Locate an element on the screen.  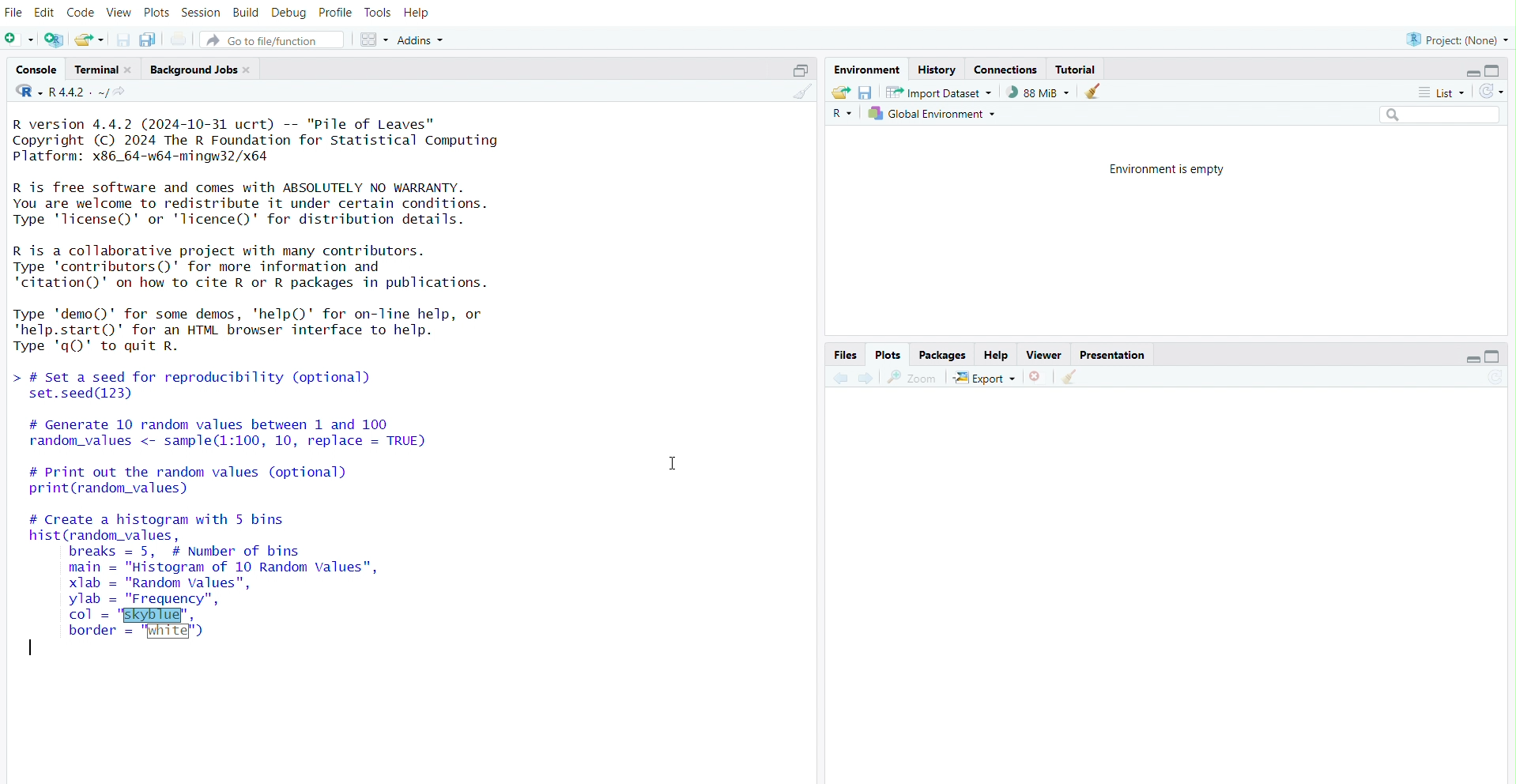
search field is located at coordinates (1441, 115).